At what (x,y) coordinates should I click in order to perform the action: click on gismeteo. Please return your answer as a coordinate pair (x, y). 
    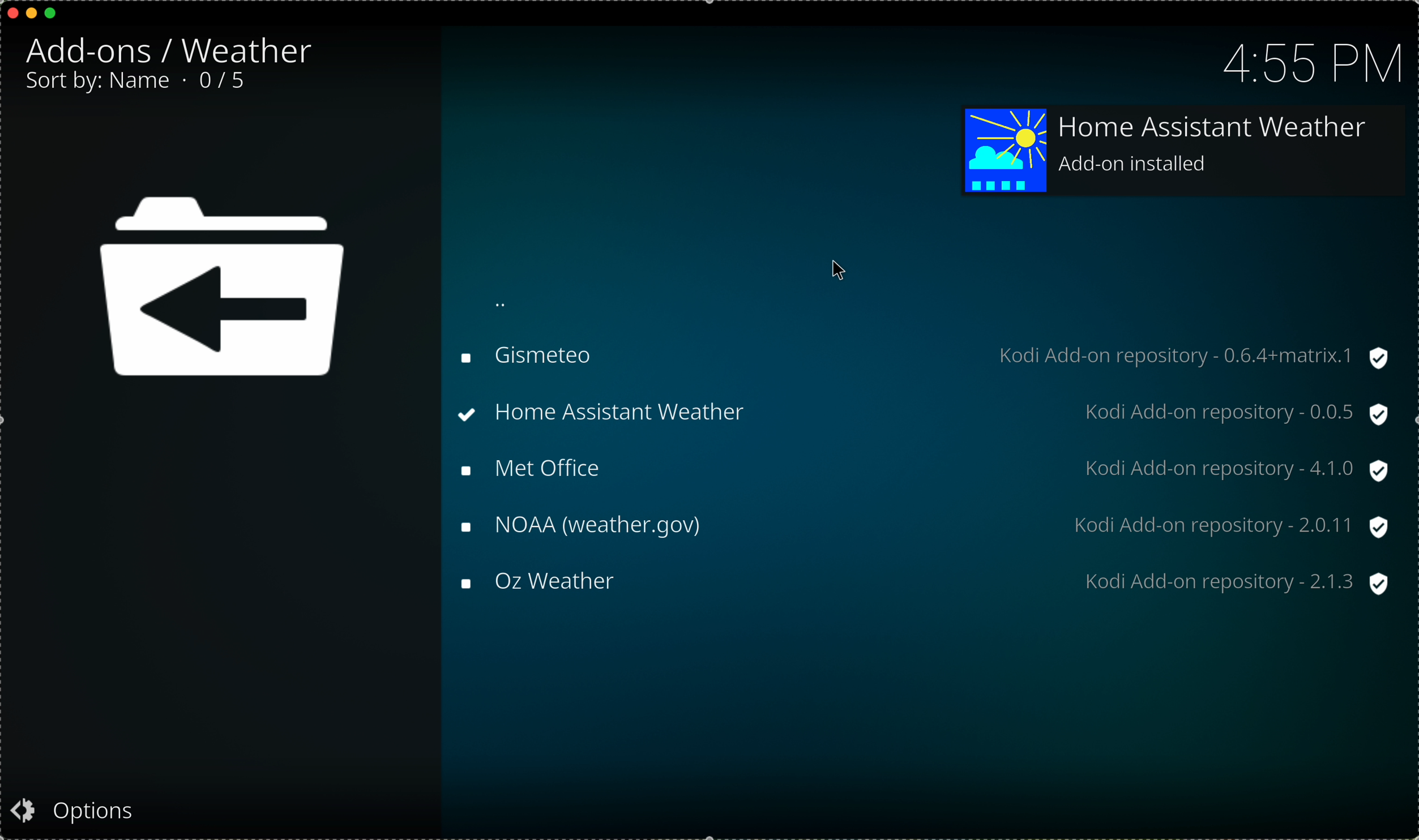
    Looking at the image, I should click on (924, 359).